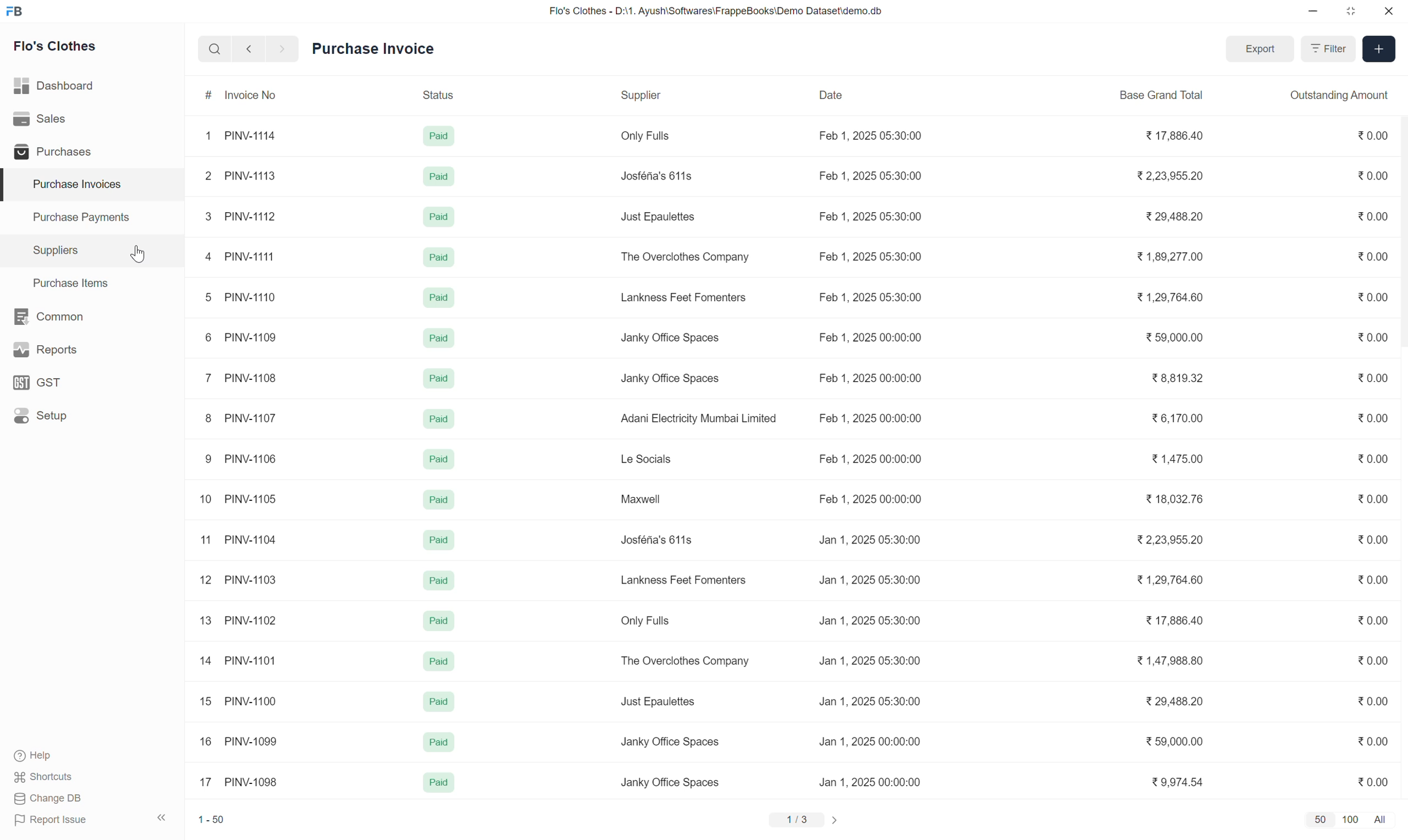 Image resolution: width=1408 pixels, height=840 pixels. I want to click on 0.00, so click(1372, 500).